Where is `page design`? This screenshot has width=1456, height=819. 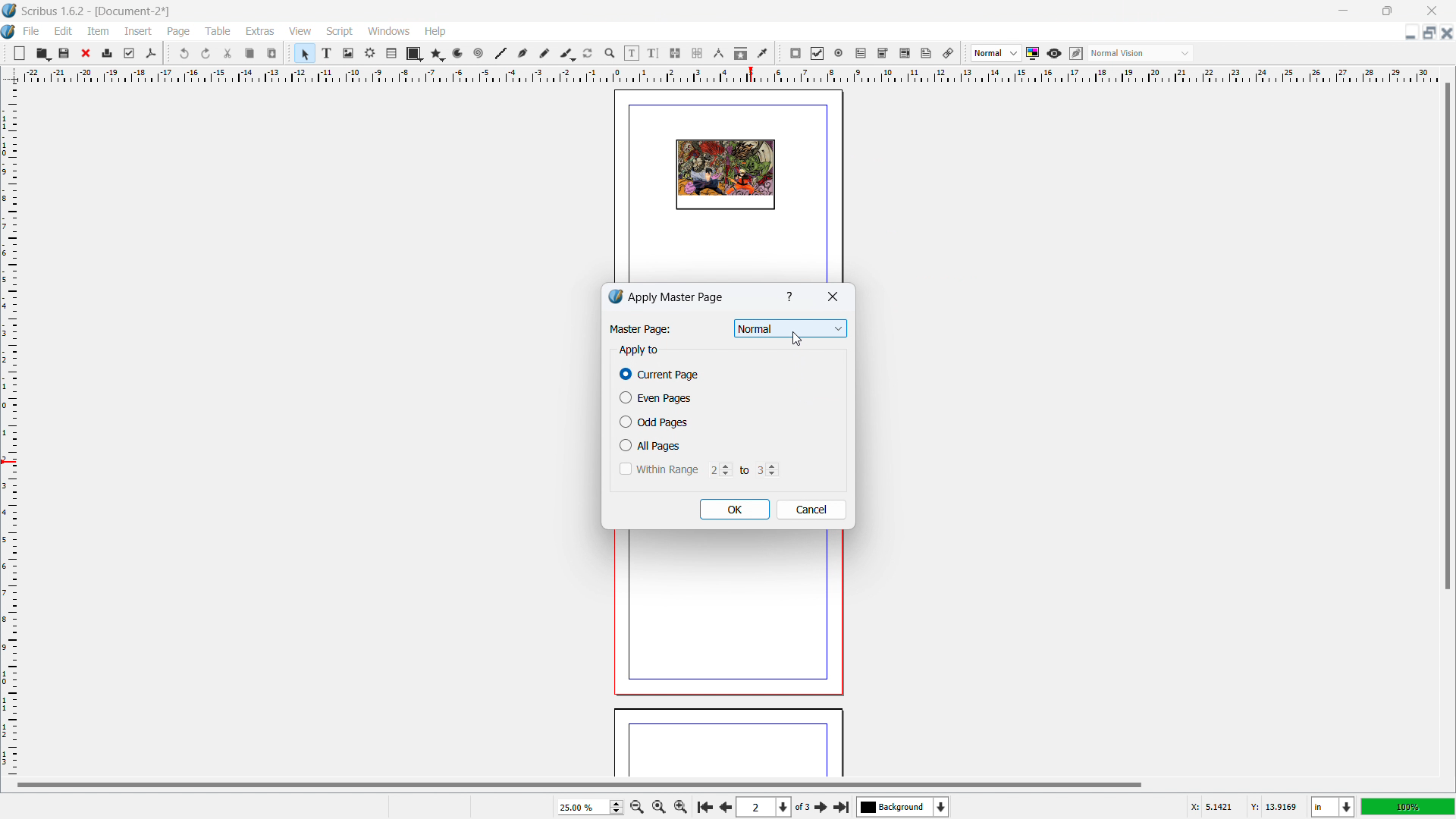
page design is located at coordinates (725, 175).